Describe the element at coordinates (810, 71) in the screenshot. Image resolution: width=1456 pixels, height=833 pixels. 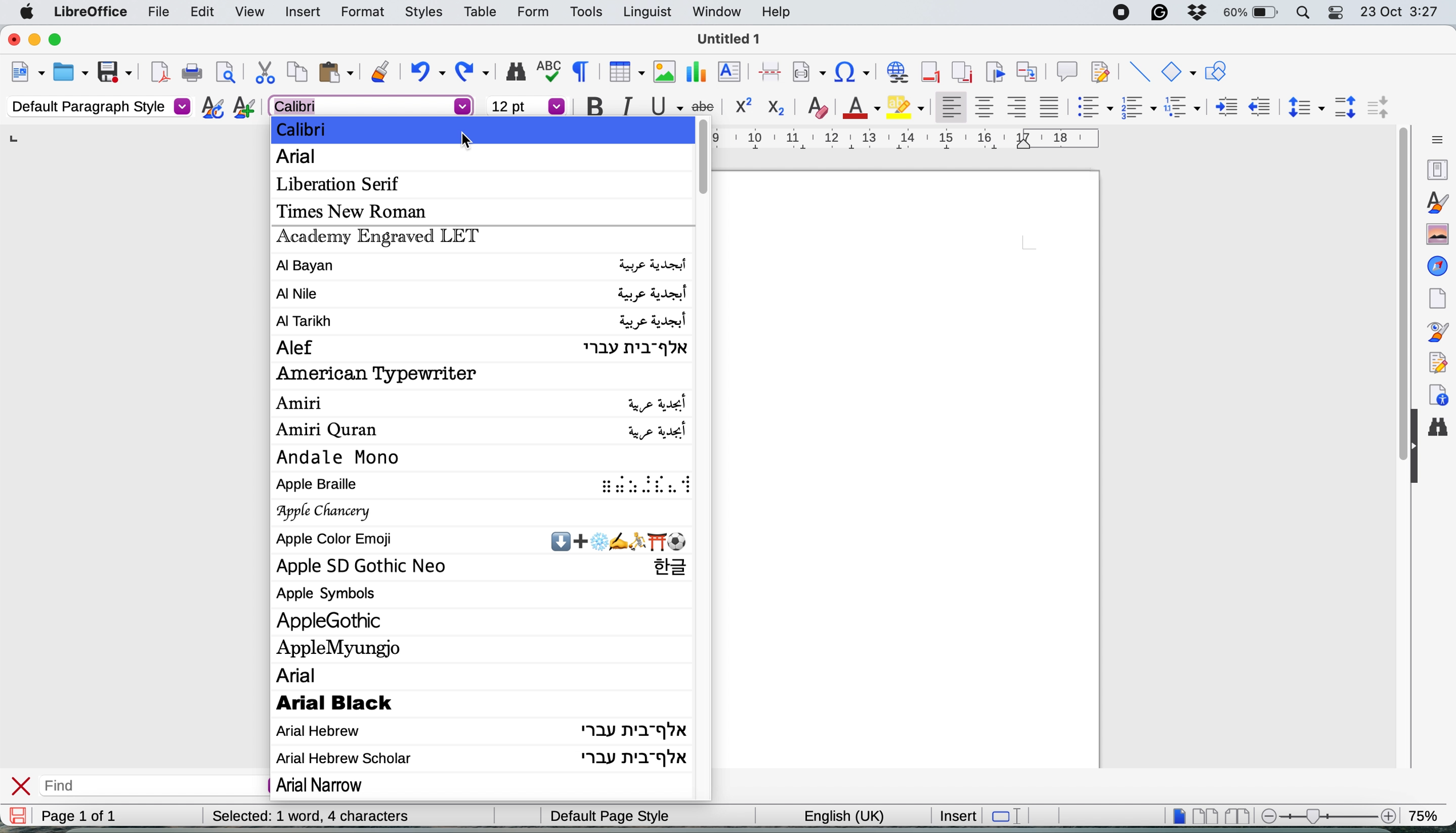
I see `insert field` at that location.